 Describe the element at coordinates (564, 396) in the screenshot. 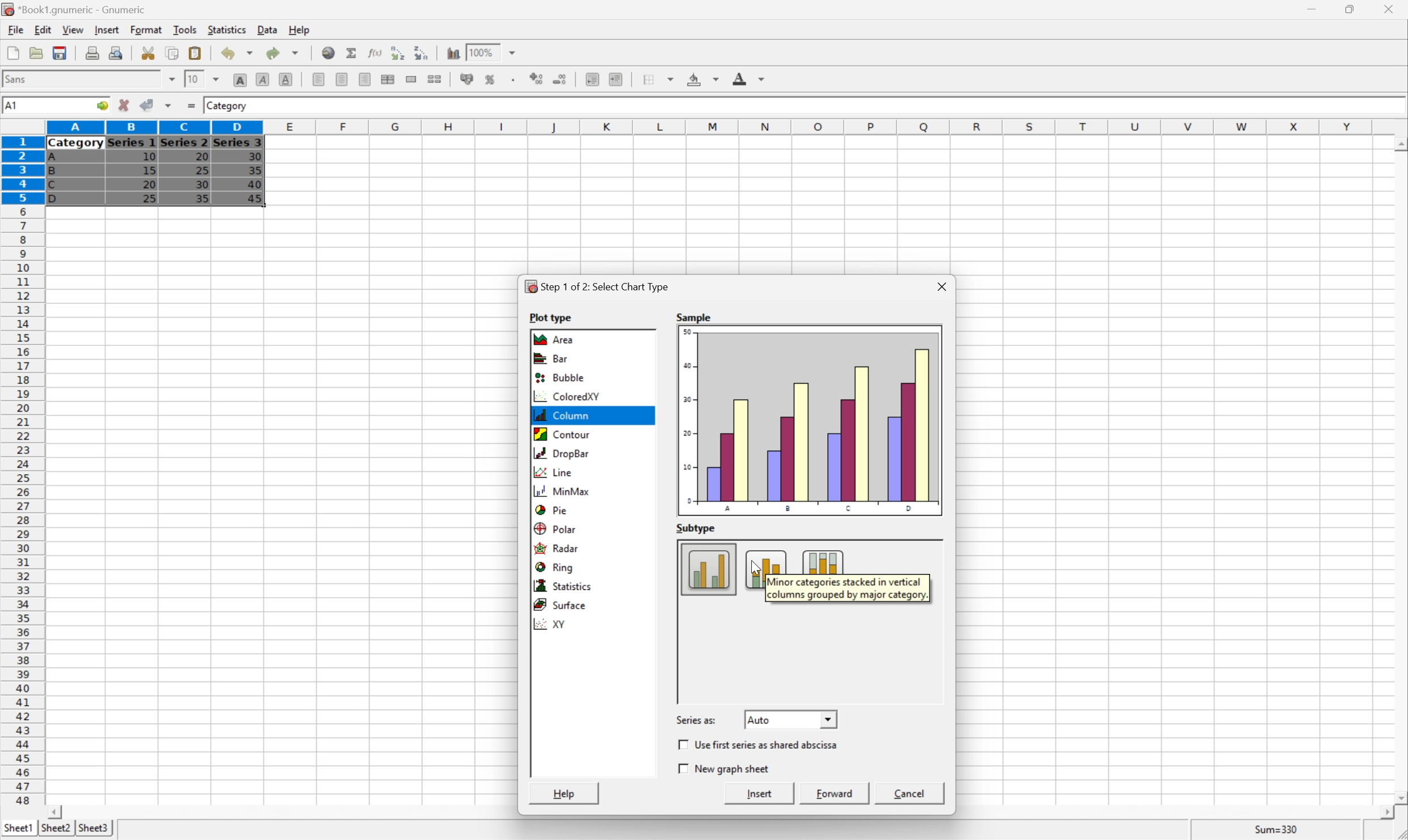

I see `ColoredXY` at that location.